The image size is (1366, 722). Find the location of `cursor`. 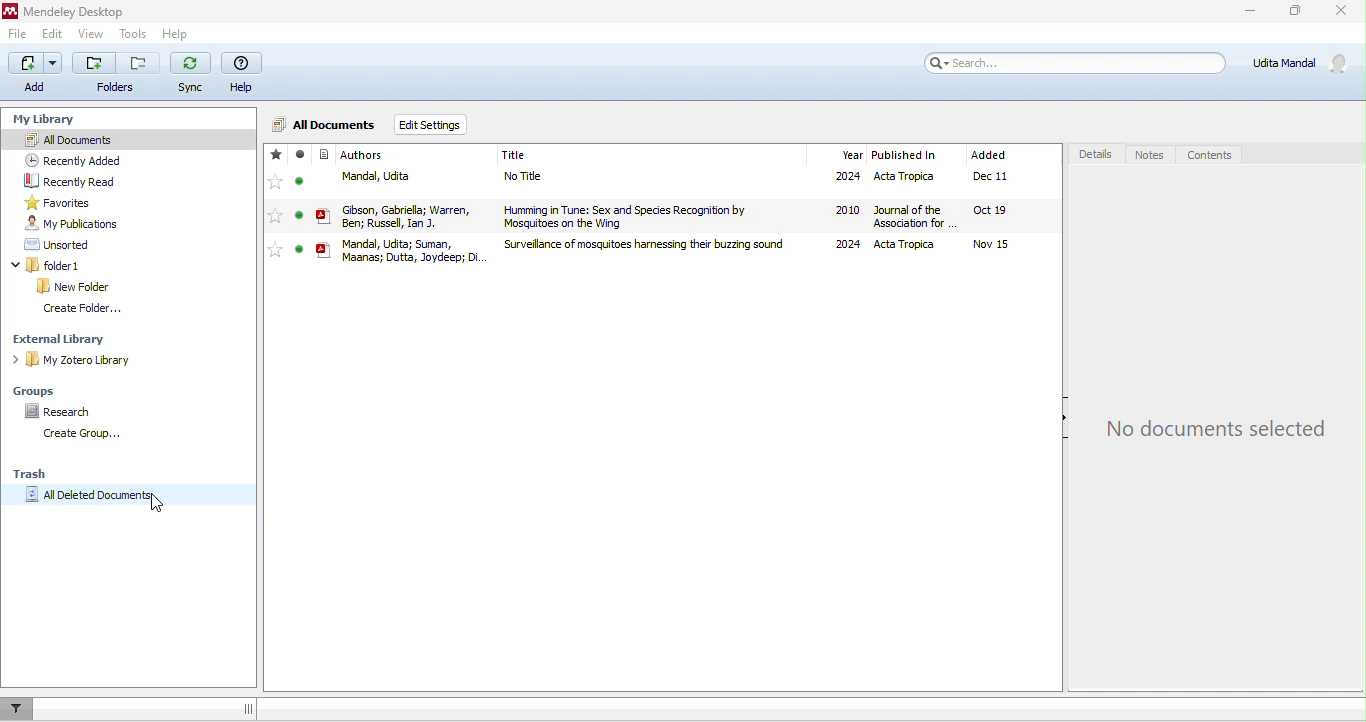

cursor is located at coordinates (168, 504).